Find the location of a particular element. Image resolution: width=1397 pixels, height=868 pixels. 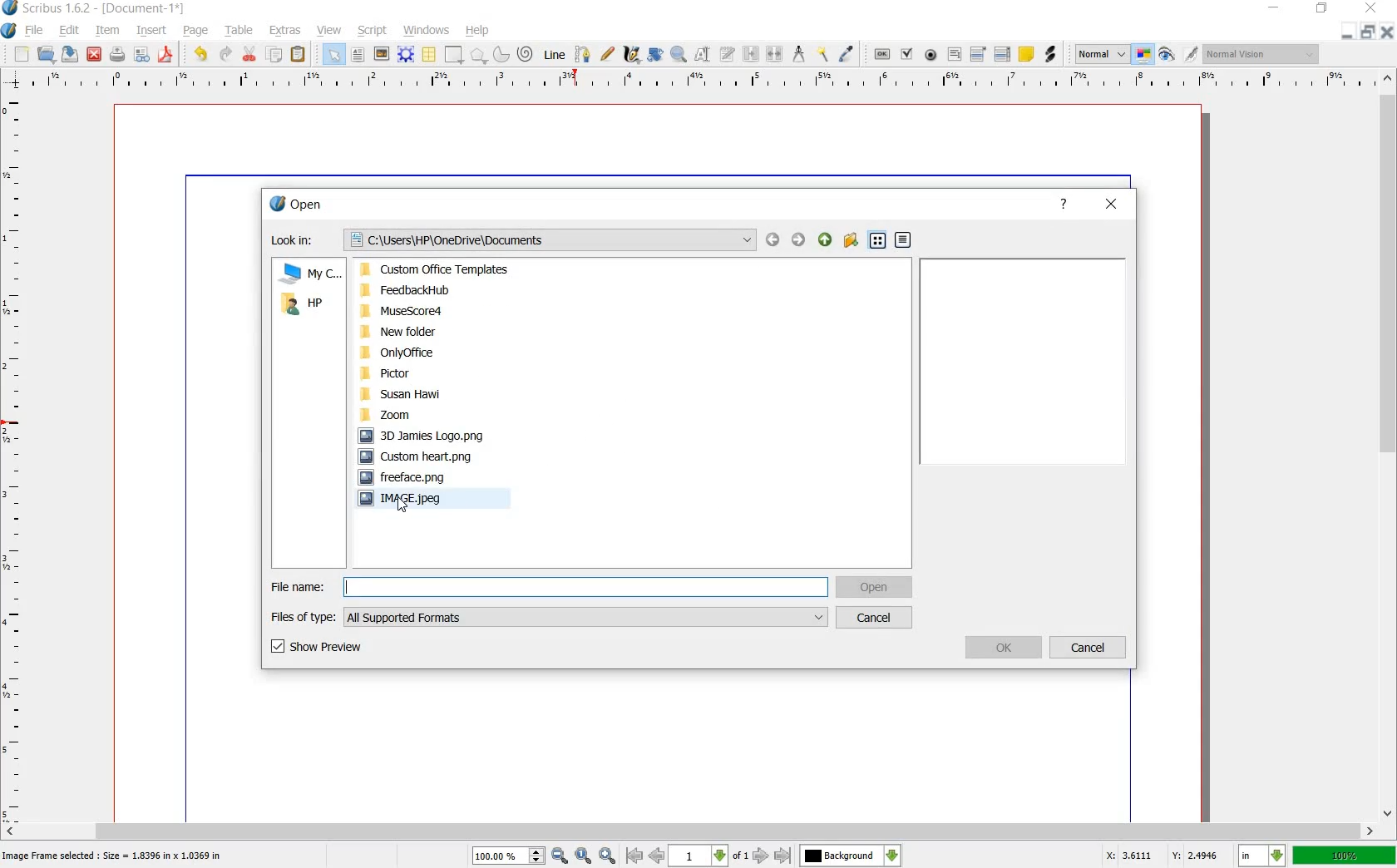

print is located at coordinates (117, 55).